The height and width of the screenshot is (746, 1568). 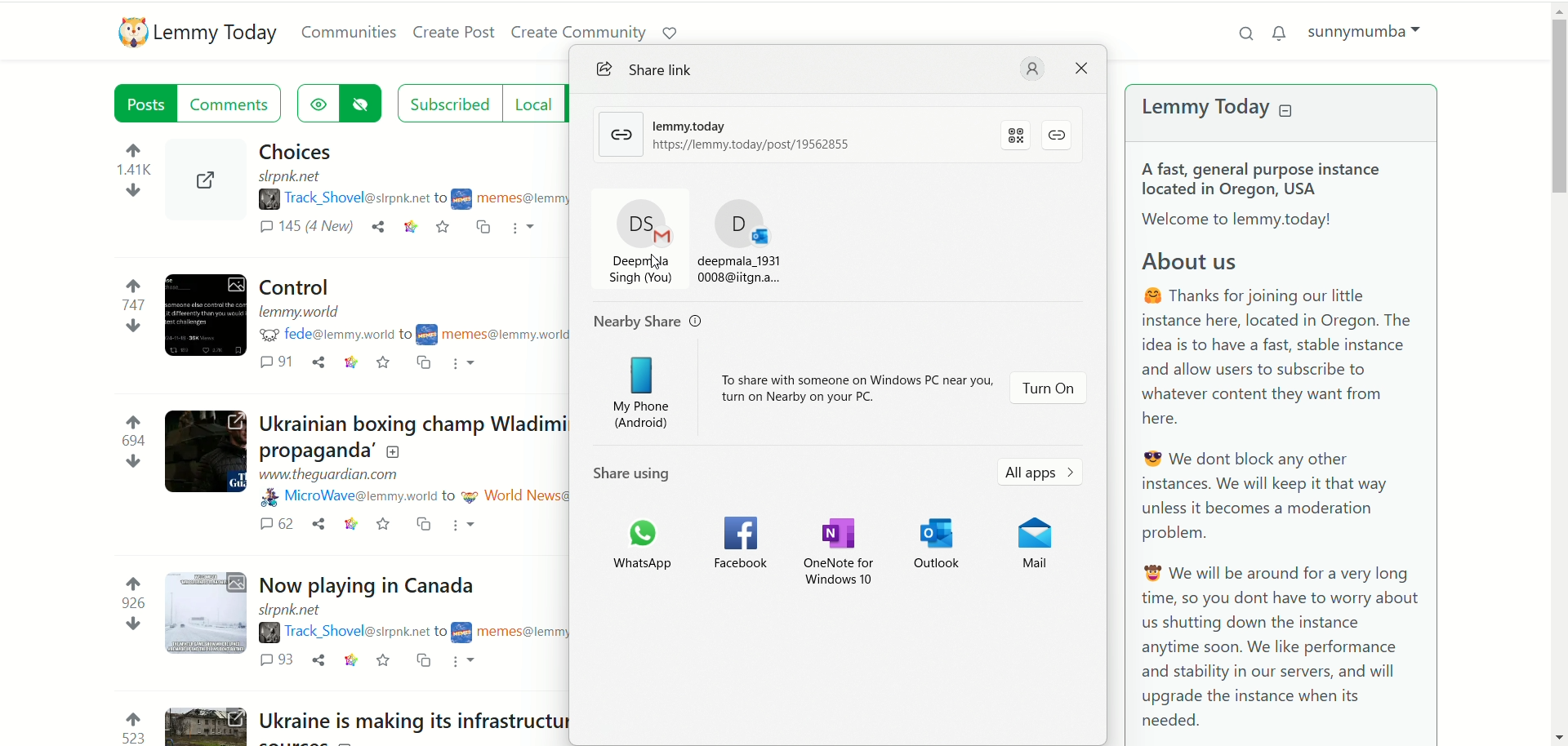 What do you see at coordinates (348, 659) in the screenshot?
I see `link` at bounding box center [348, 659].